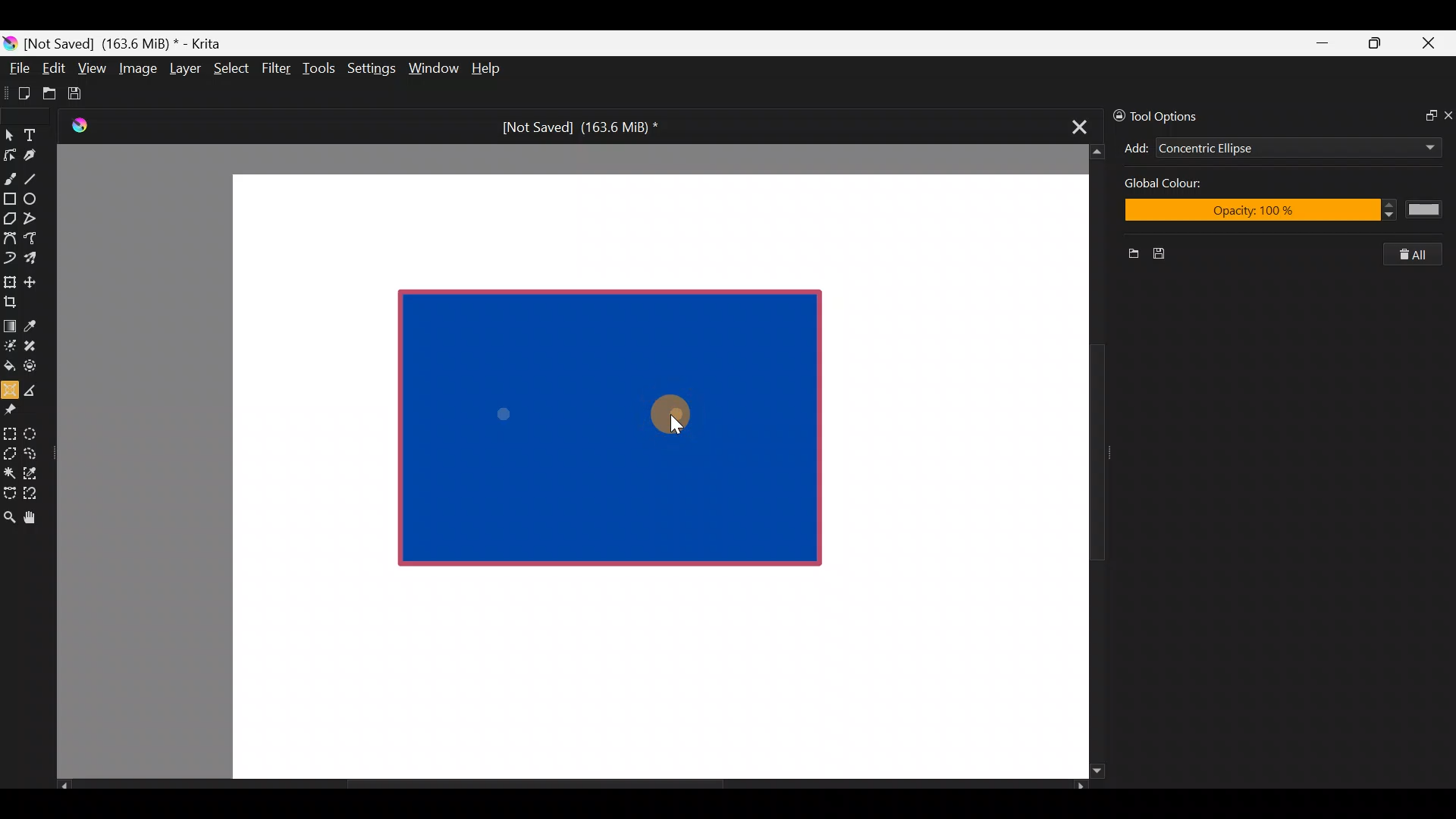  What do you see at coordinates (9, 136) in the screenshot?
I see `Select shapes tool` at bounding box center [9, 136].